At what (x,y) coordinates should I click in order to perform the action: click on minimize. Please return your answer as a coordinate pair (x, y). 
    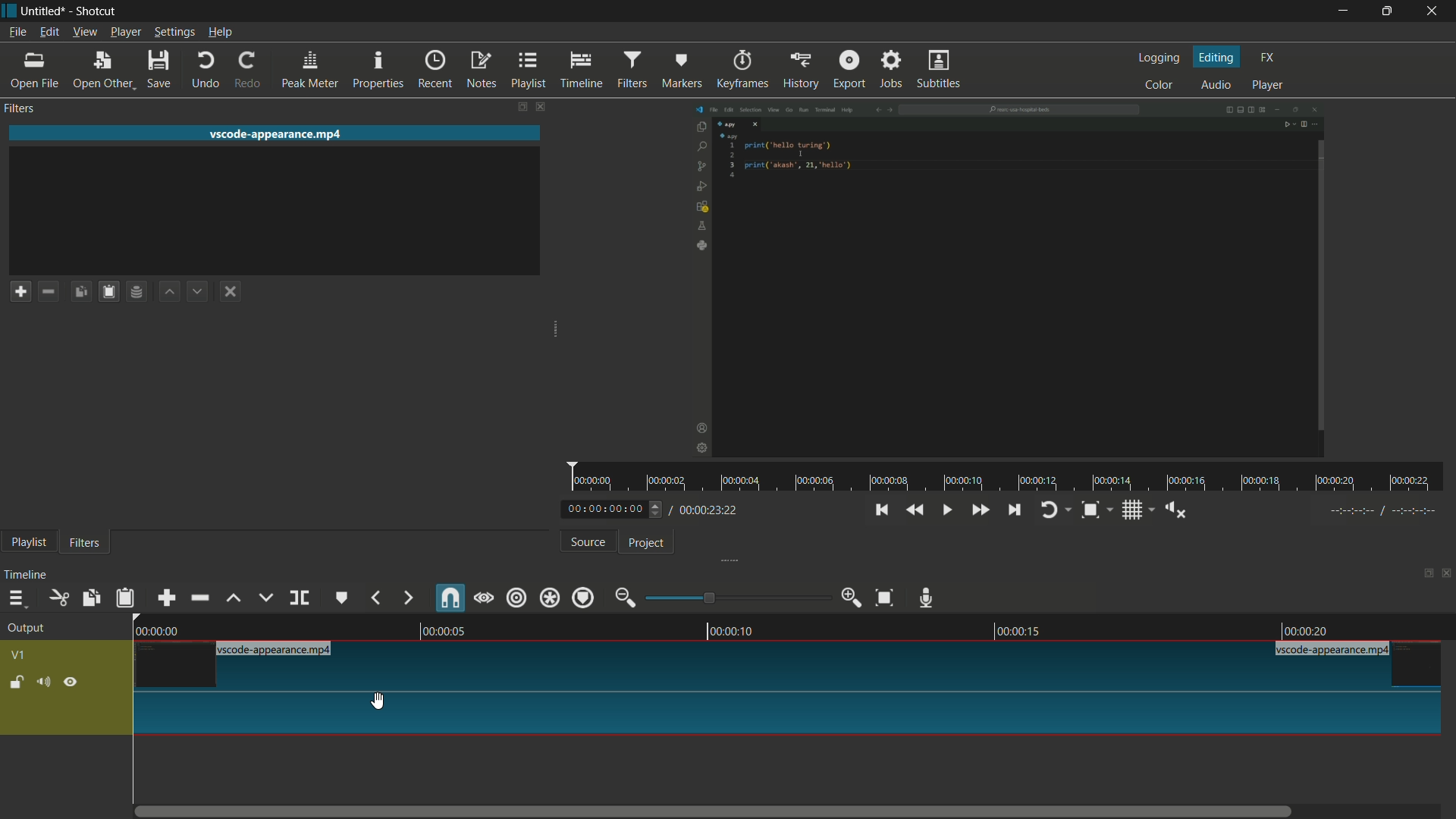
    Looking at the image, I should click on (1343, 11).